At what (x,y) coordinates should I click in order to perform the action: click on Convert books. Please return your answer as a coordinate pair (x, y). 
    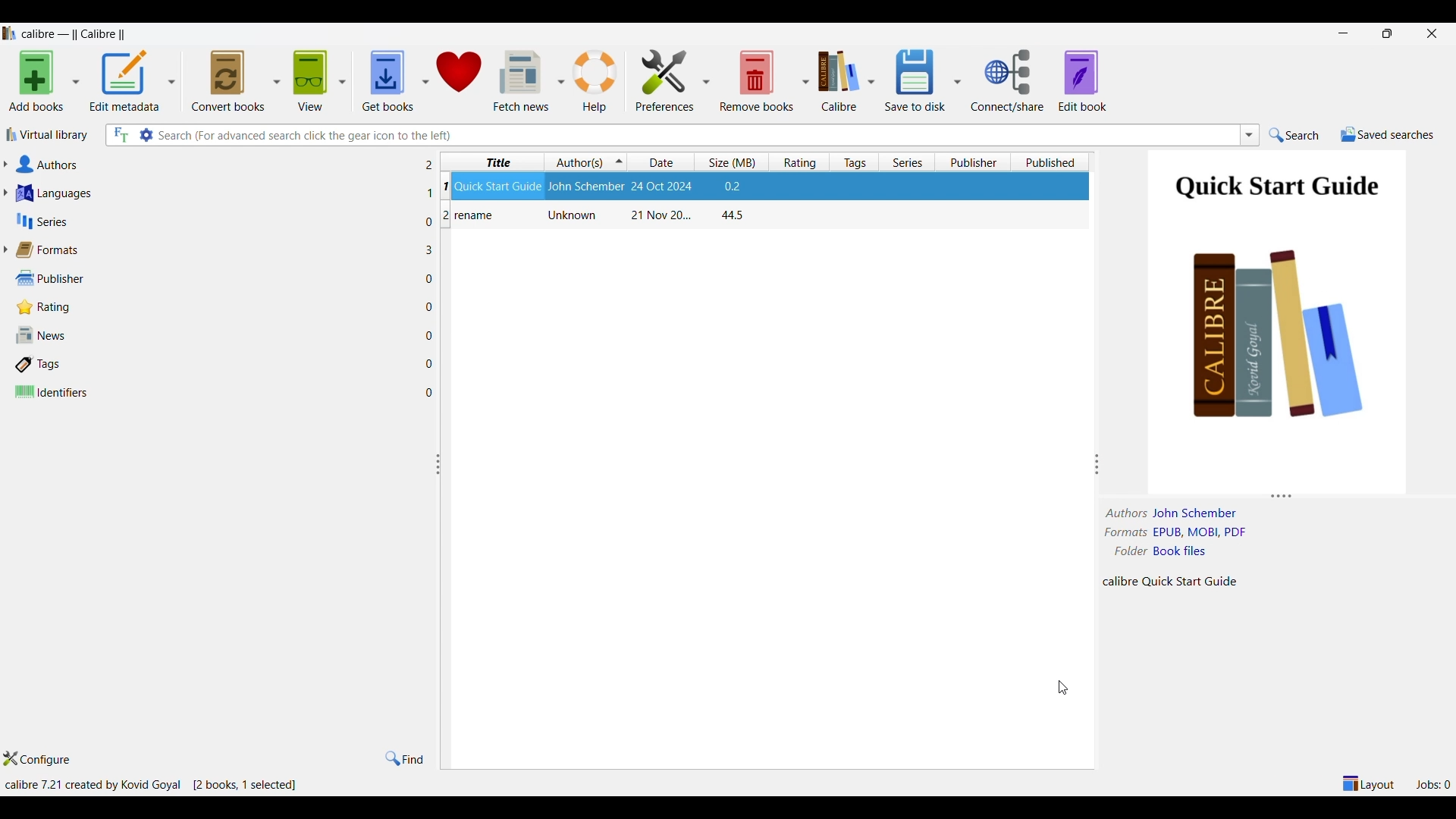
    Looking at the image, I should click on (228, 81).